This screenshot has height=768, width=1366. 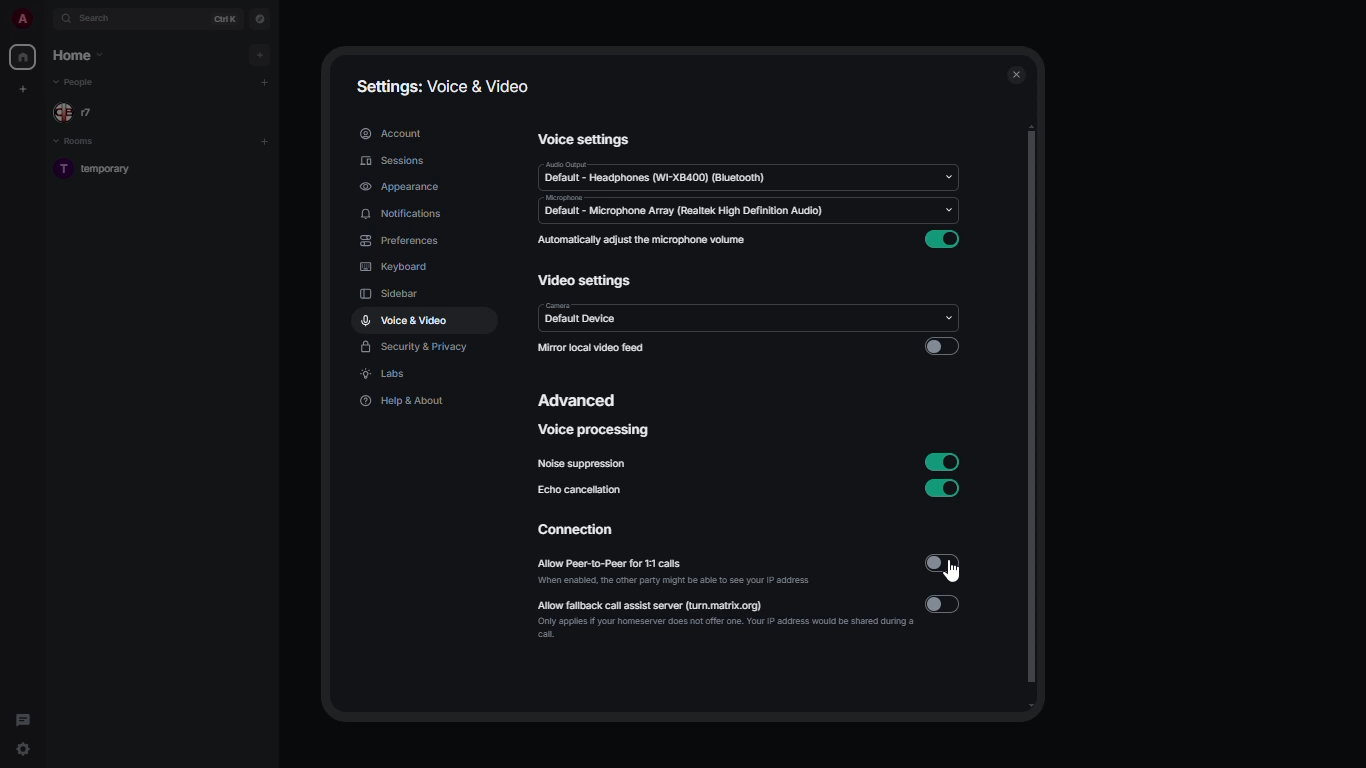 I want to click on home, so click(x=24, y=55).